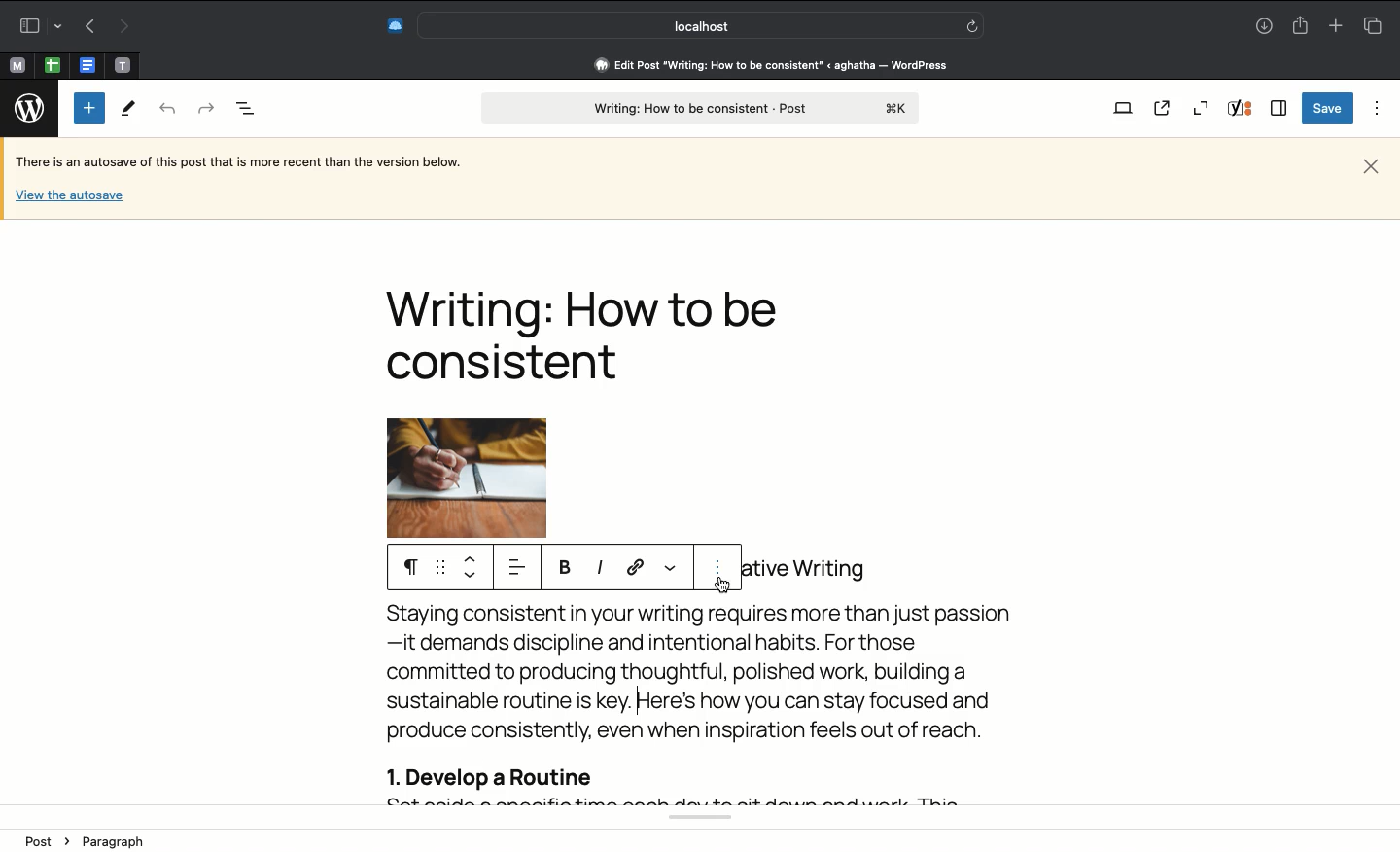 This screenshot has width=1400, height=852. Describe the element at coordinates (52, 62) in the screenshot. I see `pinned tab, google sheet` at that location.